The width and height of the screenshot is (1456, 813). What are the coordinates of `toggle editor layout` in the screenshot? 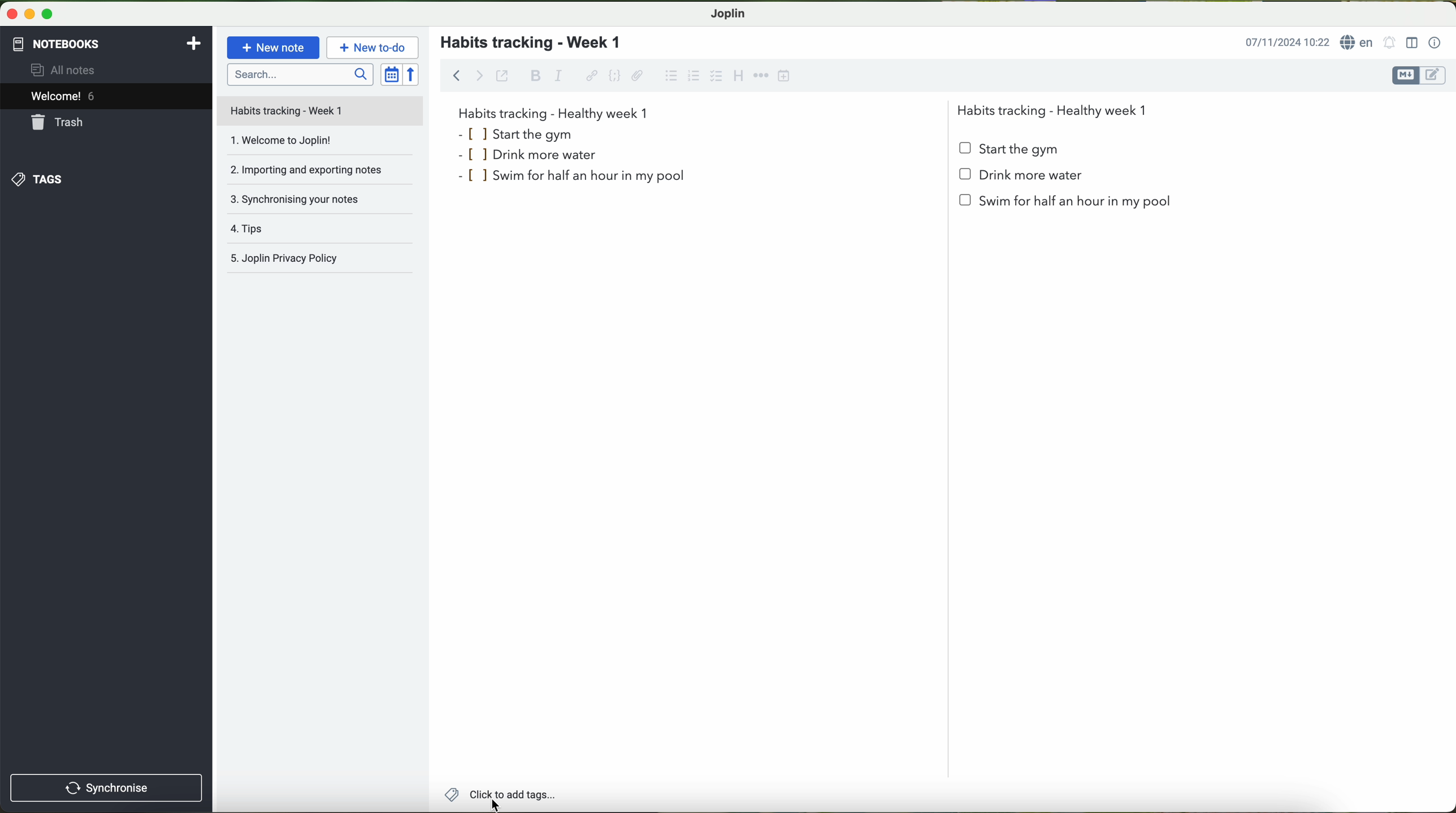 It's located at (1412, 43).